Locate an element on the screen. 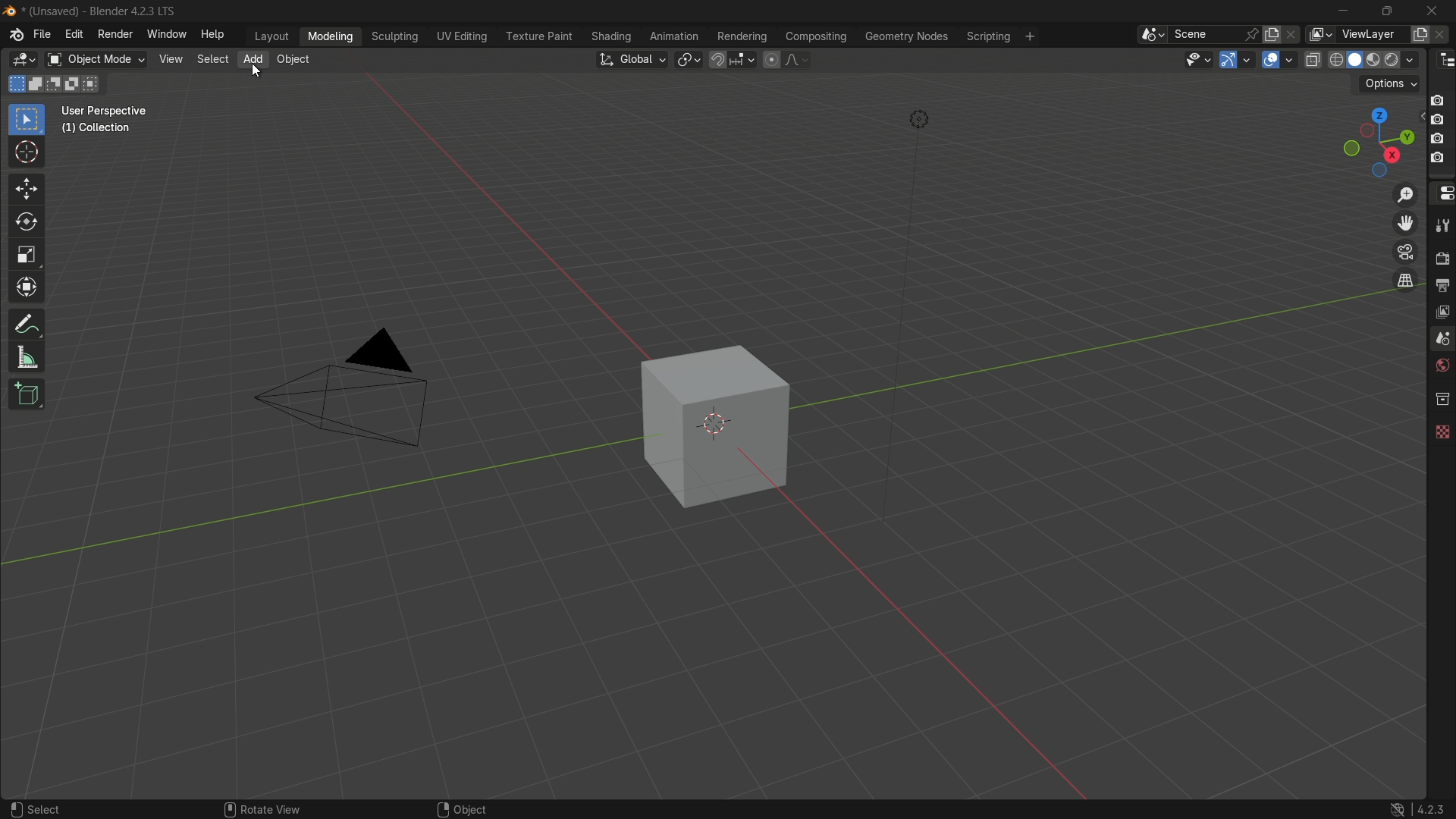  new scene is located at coordinates (1276, 34).